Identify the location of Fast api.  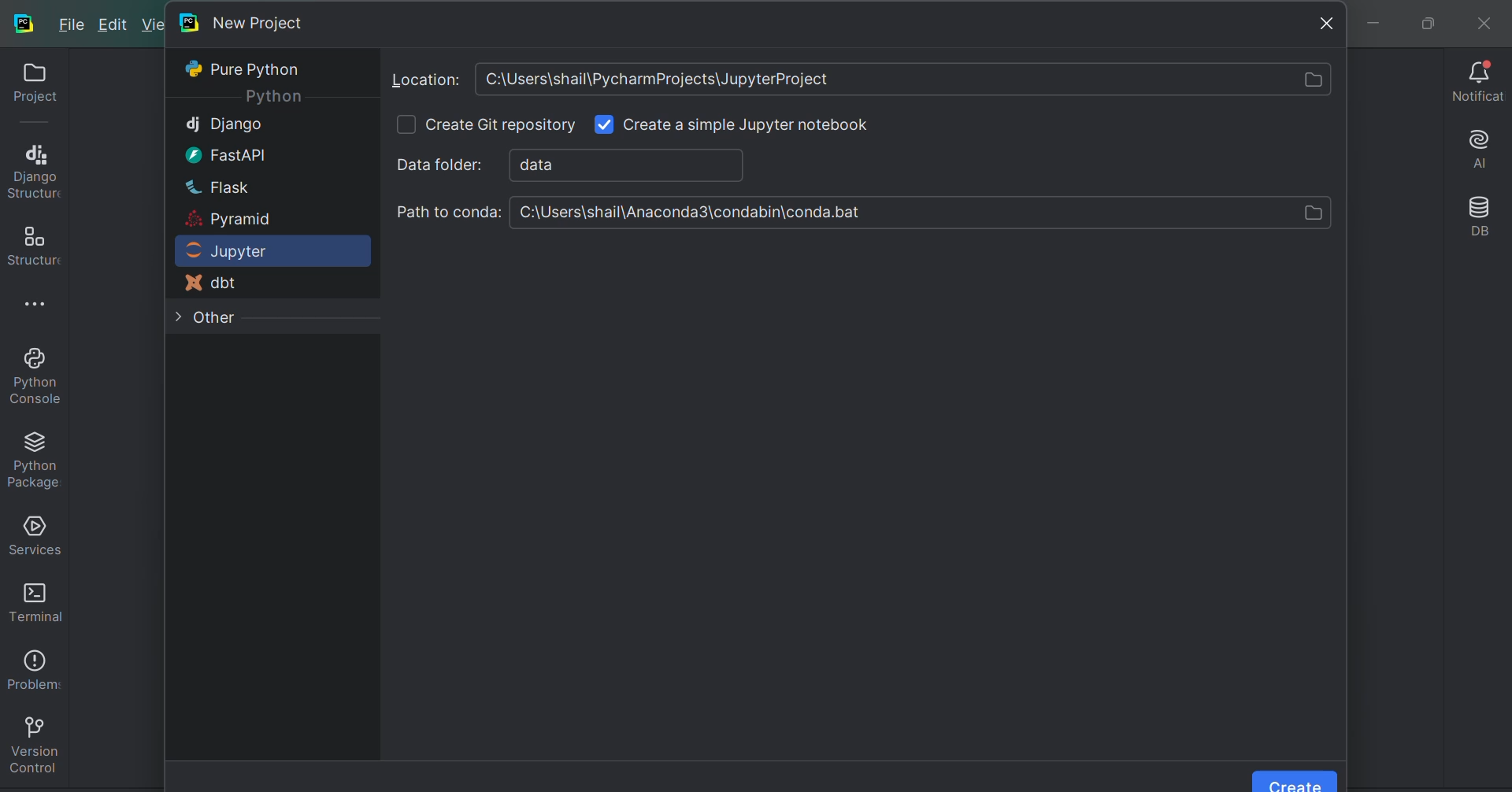
(220, 154).